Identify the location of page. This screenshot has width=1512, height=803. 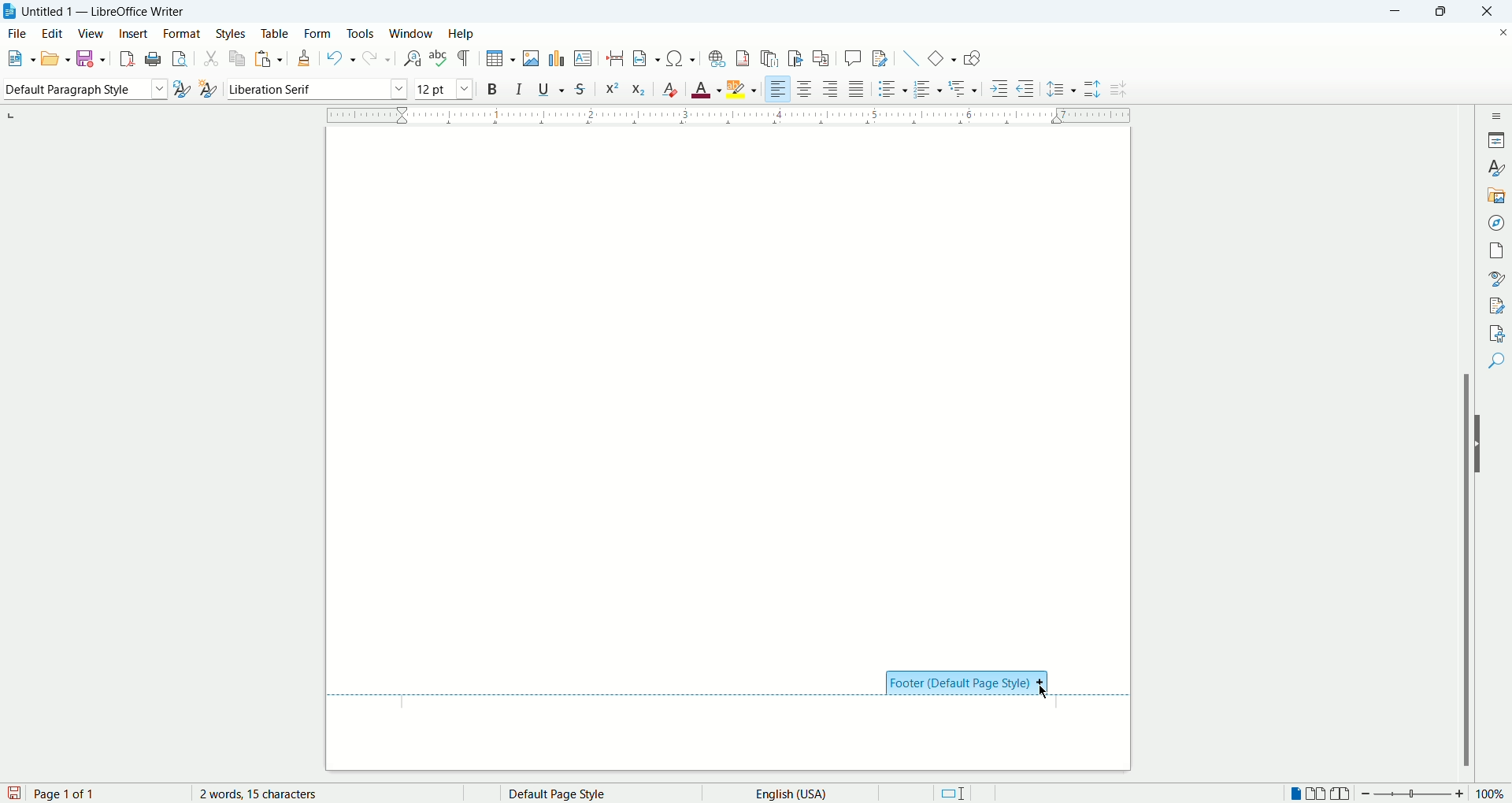
(1499, 248).